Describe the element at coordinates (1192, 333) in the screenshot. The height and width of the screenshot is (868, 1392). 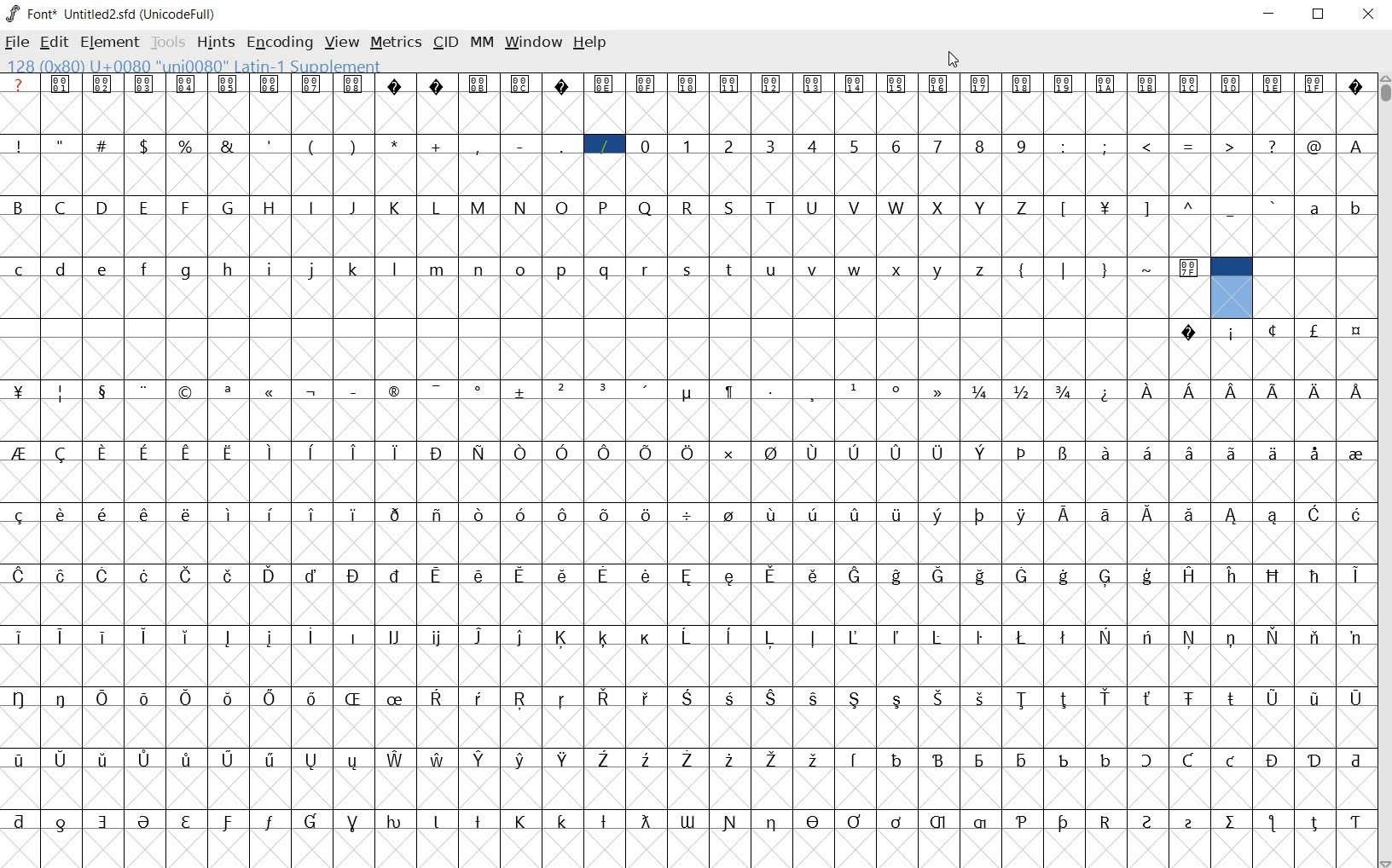
I see `Symbol` at that location.